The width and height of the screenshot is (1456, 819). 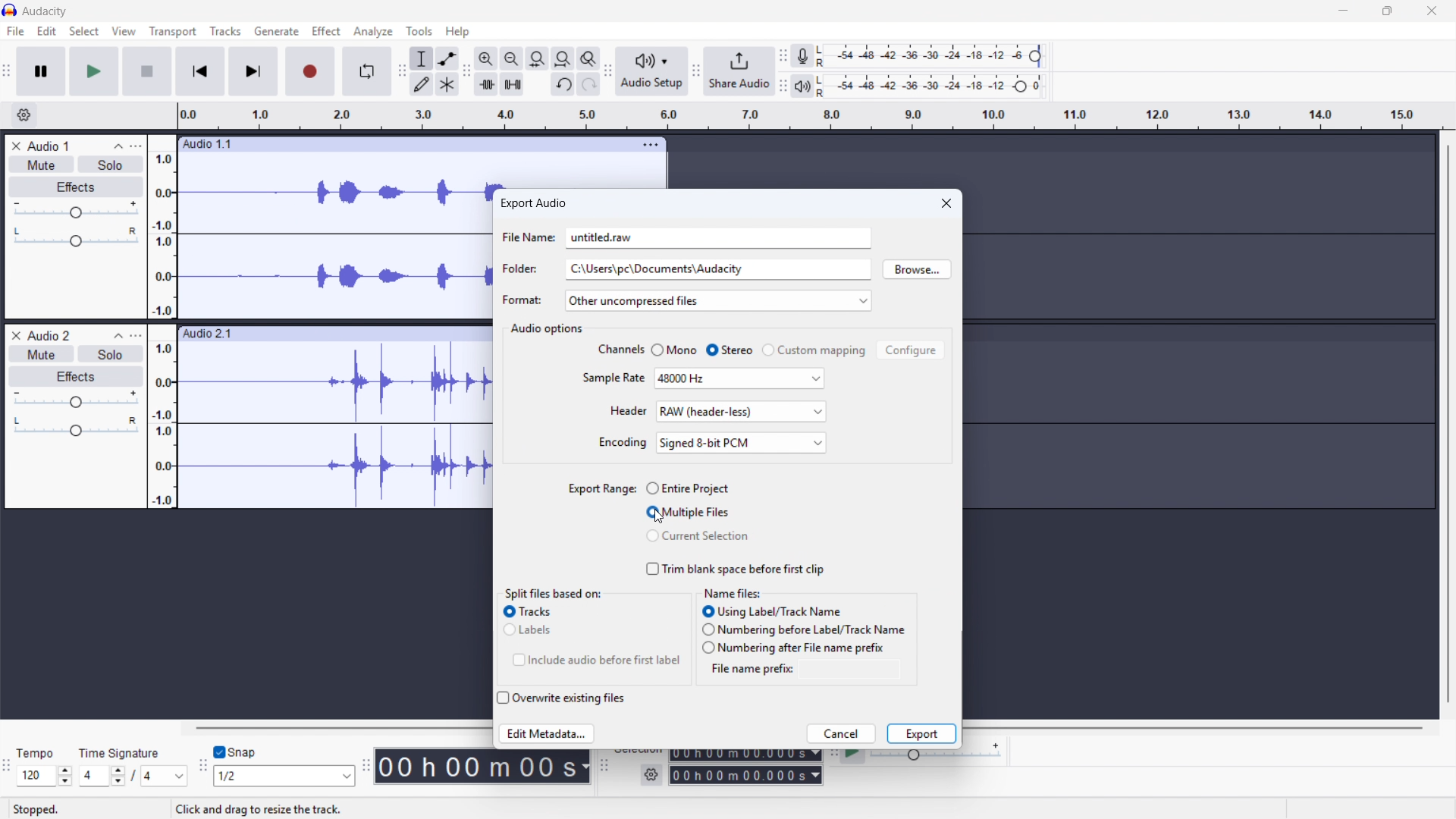 What do you see at coordinates (326, 30) in the screenshot?
I see `Effect ` at bounding box center [326, 30].